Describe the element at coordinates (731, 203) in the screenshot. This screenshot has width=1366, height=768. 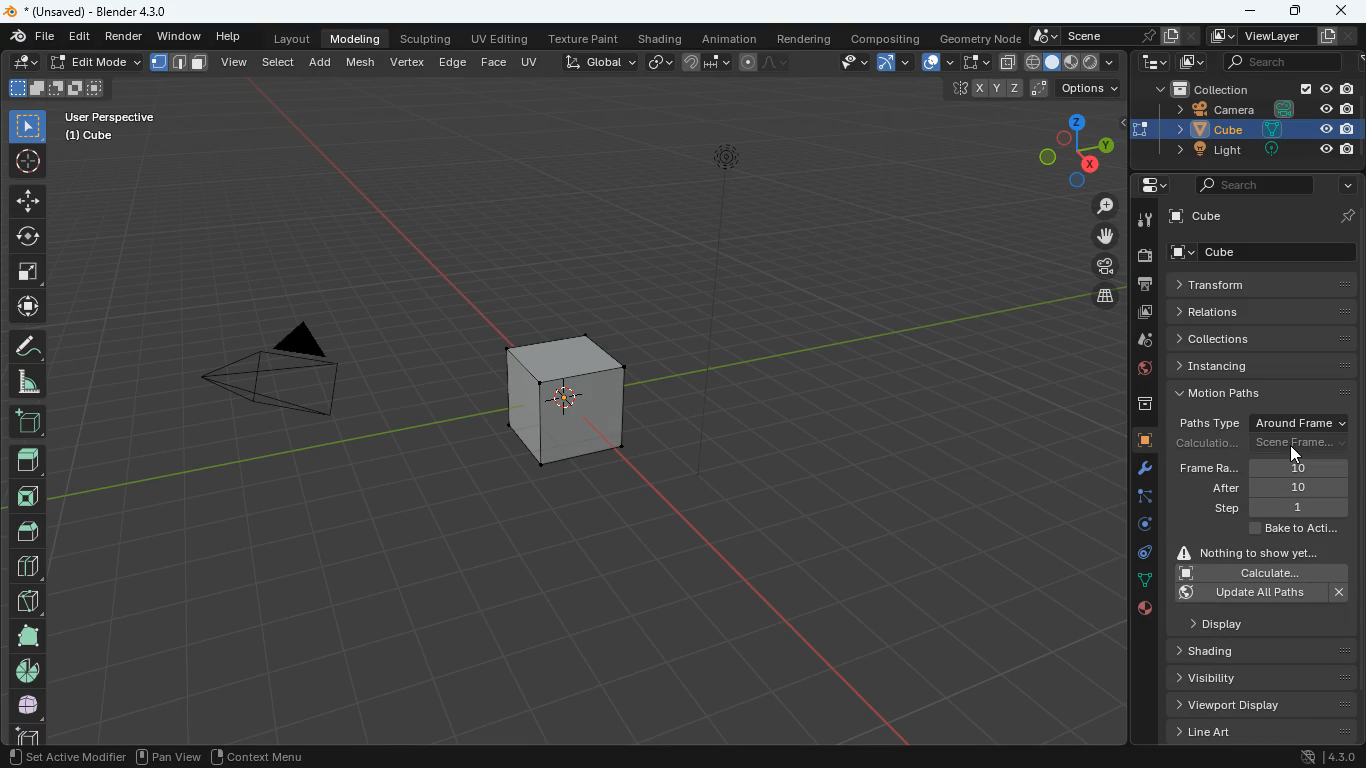
I see `light` at that location.